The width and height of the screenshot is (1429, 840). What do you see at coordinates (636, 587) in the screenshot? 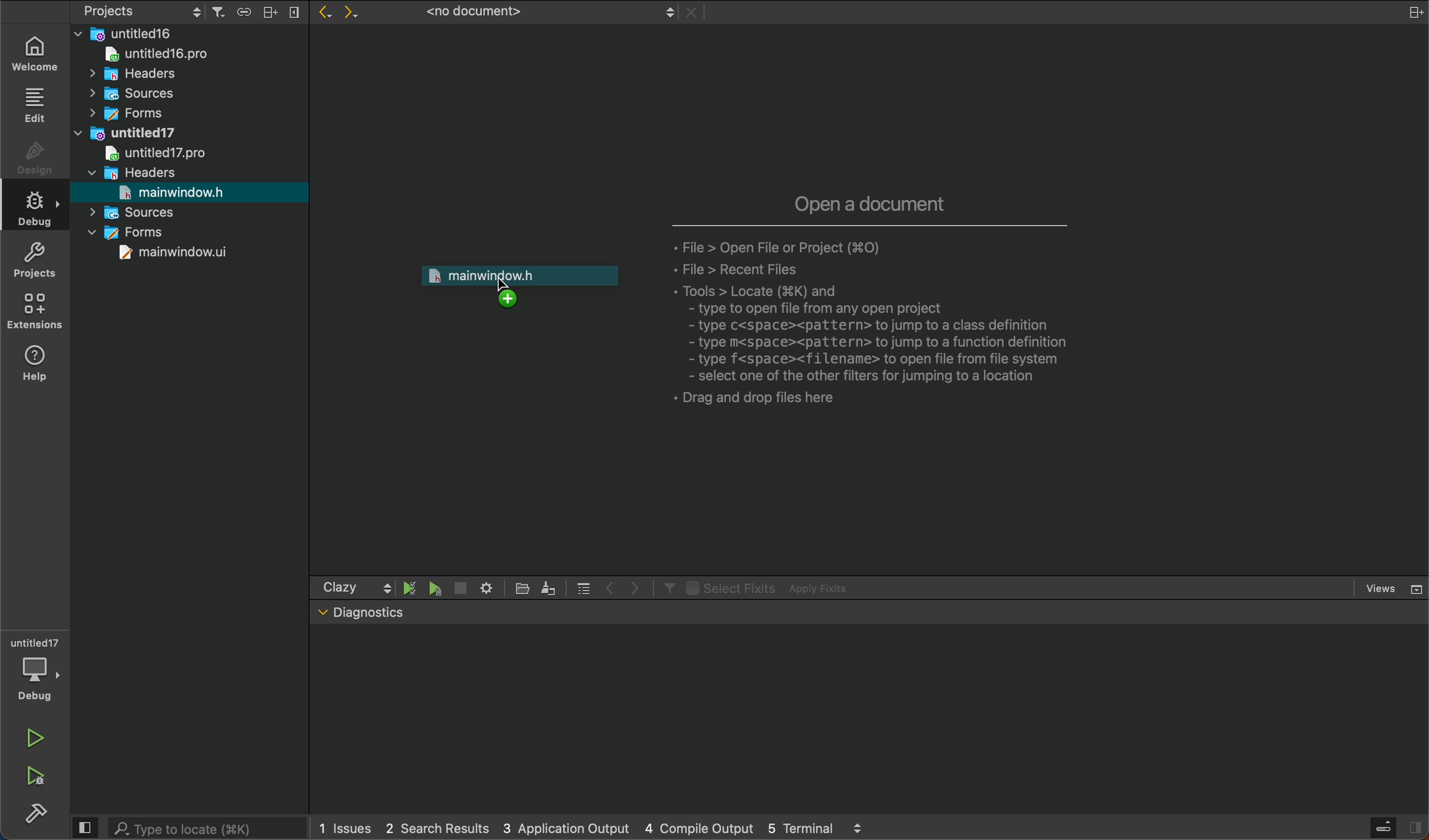
I see `Next` at bounding box center [636, 587].